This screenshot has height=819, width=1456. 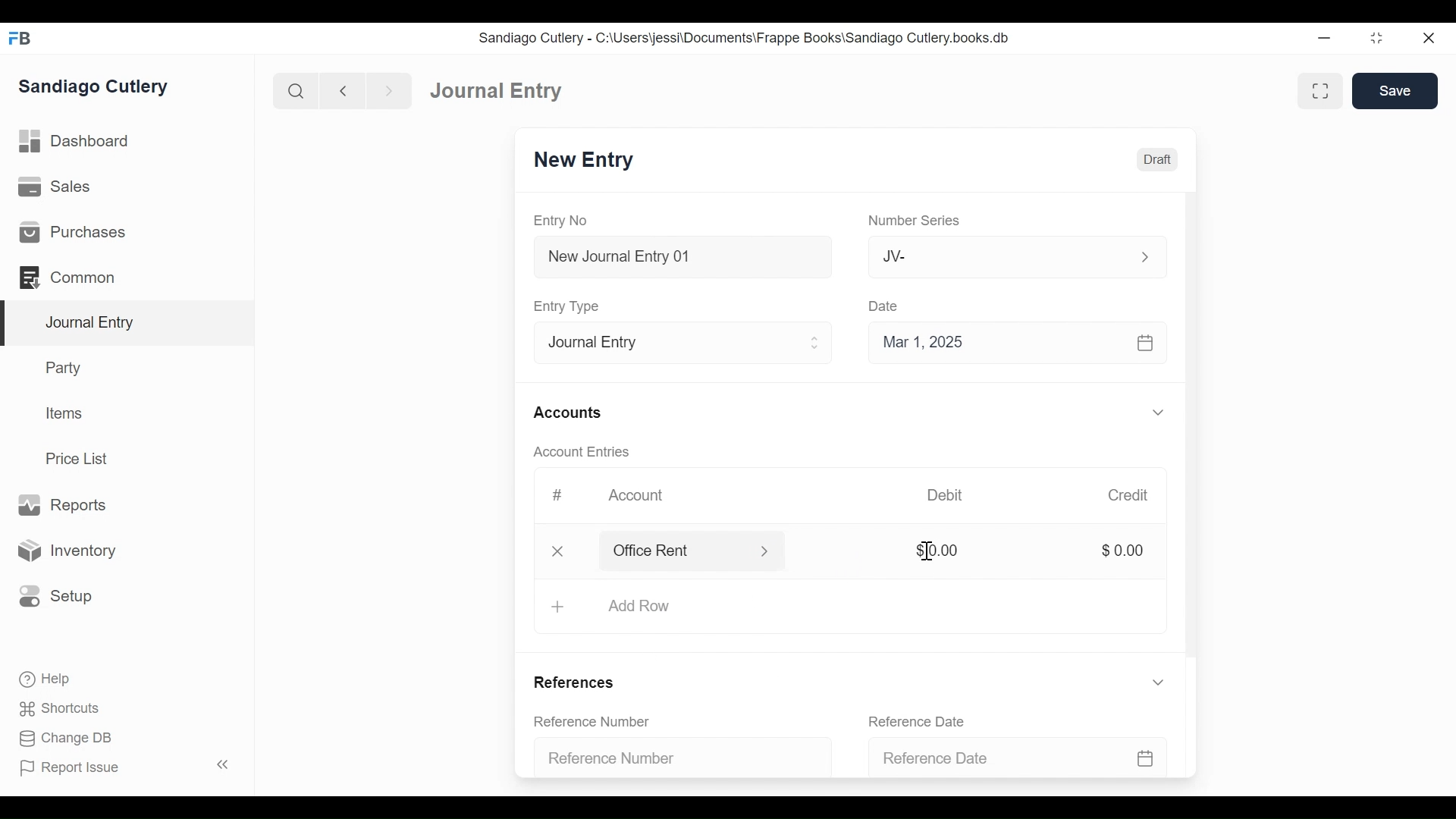 What do you see at coordinates (837, 608) in the screenshot?
I see `Add Row` at bounding box center [837, 608].